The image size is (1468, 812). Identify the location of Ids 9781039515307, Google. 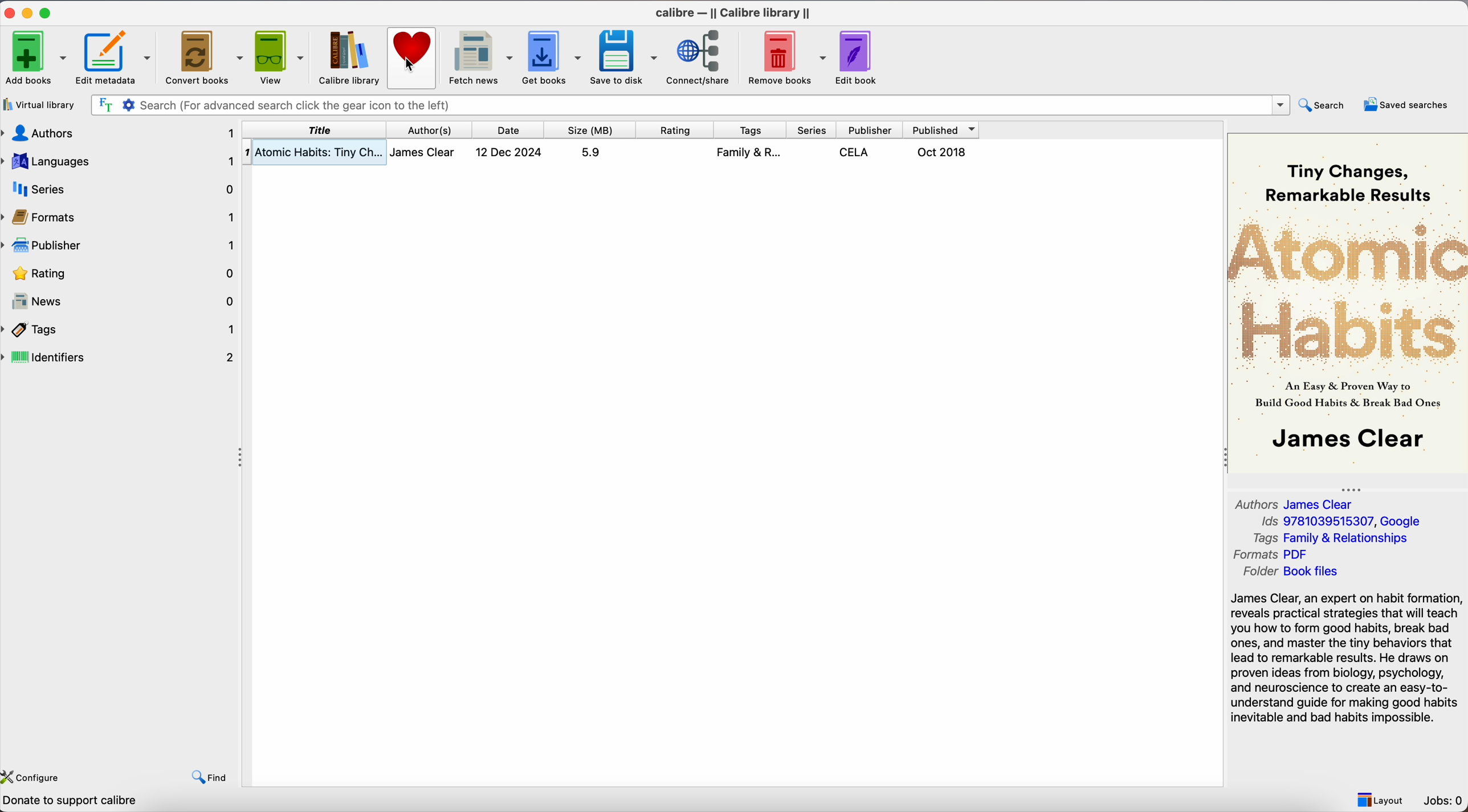
(1339, 521).